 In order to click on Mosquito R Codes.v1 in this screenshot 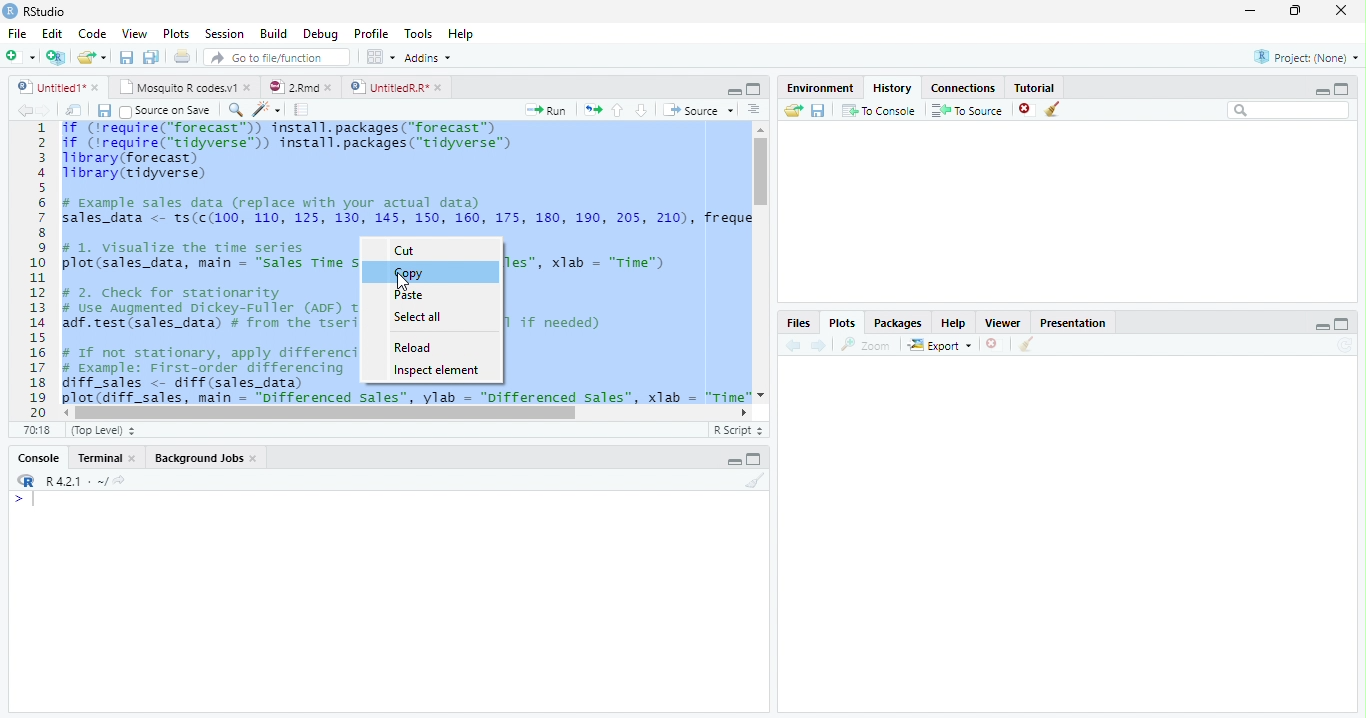, I will do `click(185, 88)`.